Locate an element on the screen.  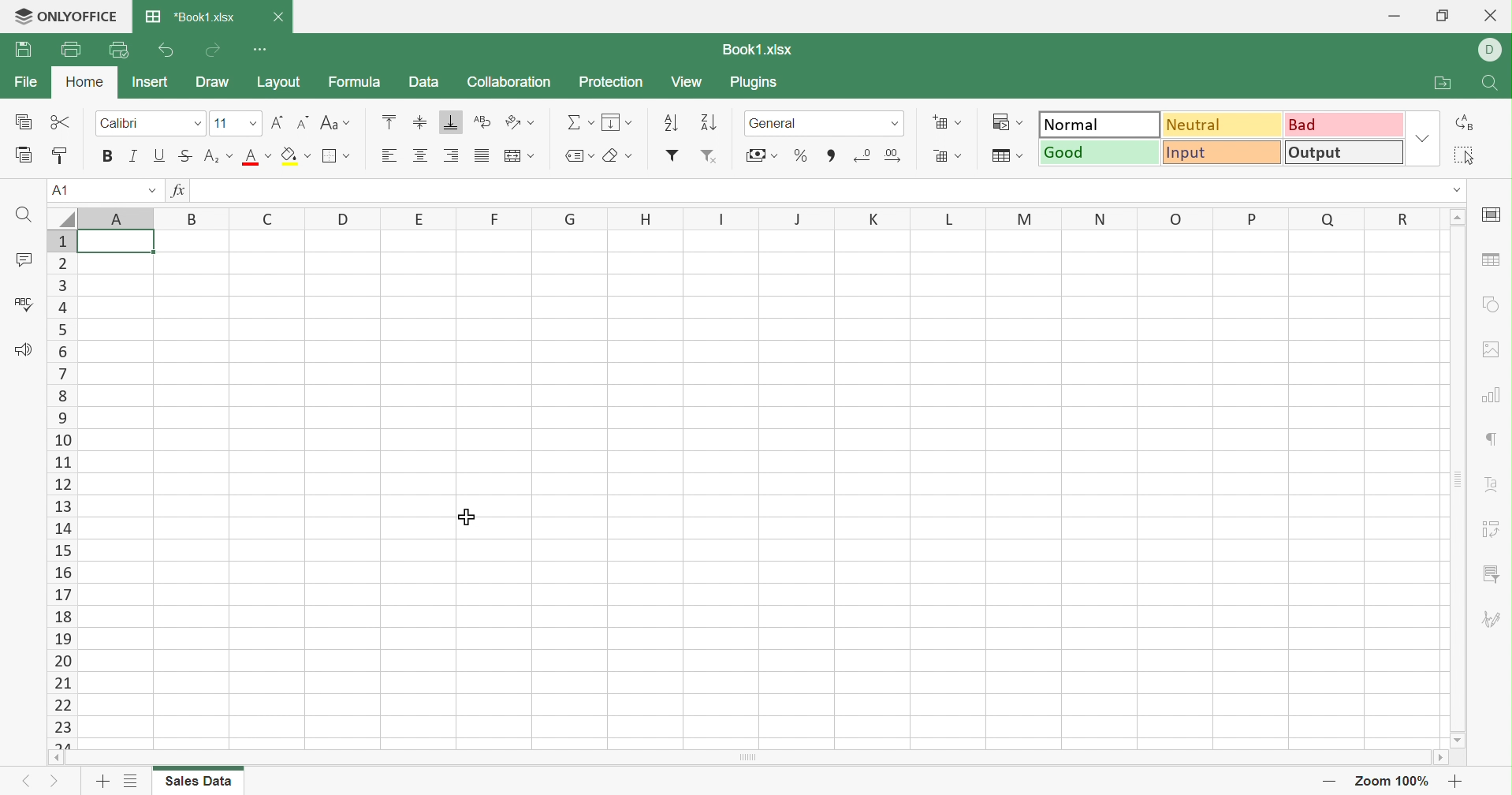
Redo is located at coordinates (213, 50).